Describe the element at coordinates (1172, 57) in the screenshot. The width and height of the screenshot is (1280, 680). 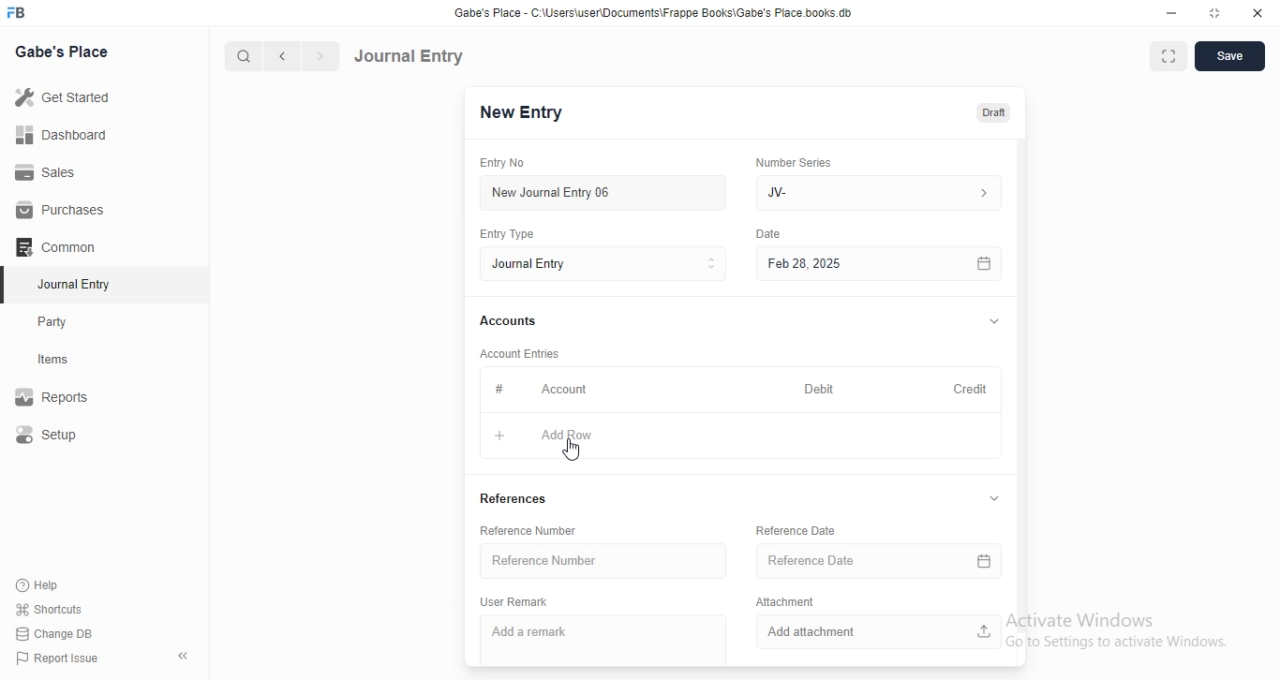
I see `full screen` at that location.